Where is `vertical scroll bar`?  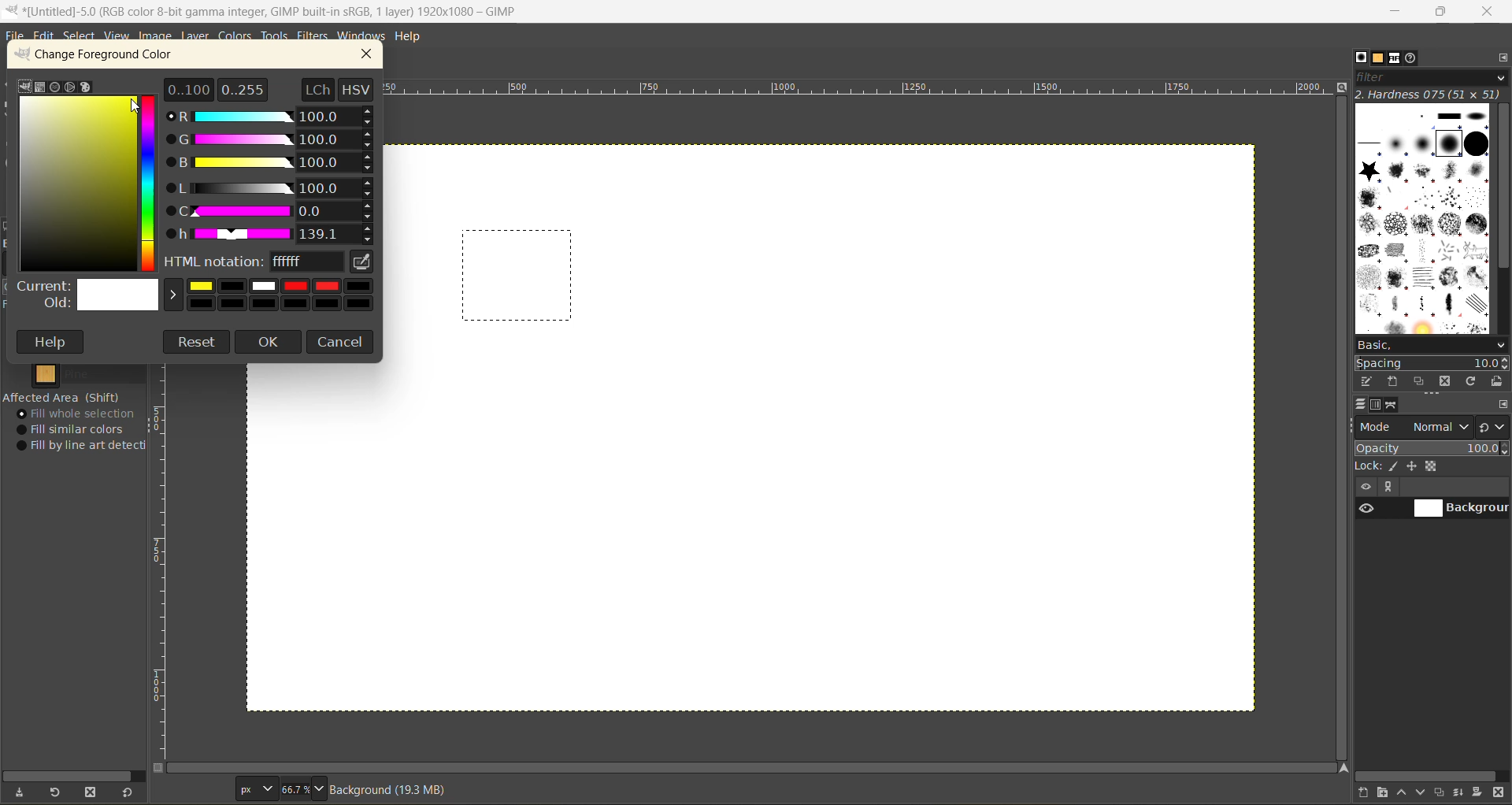
vertical scroll bar is located at coordinates (1501, 188).